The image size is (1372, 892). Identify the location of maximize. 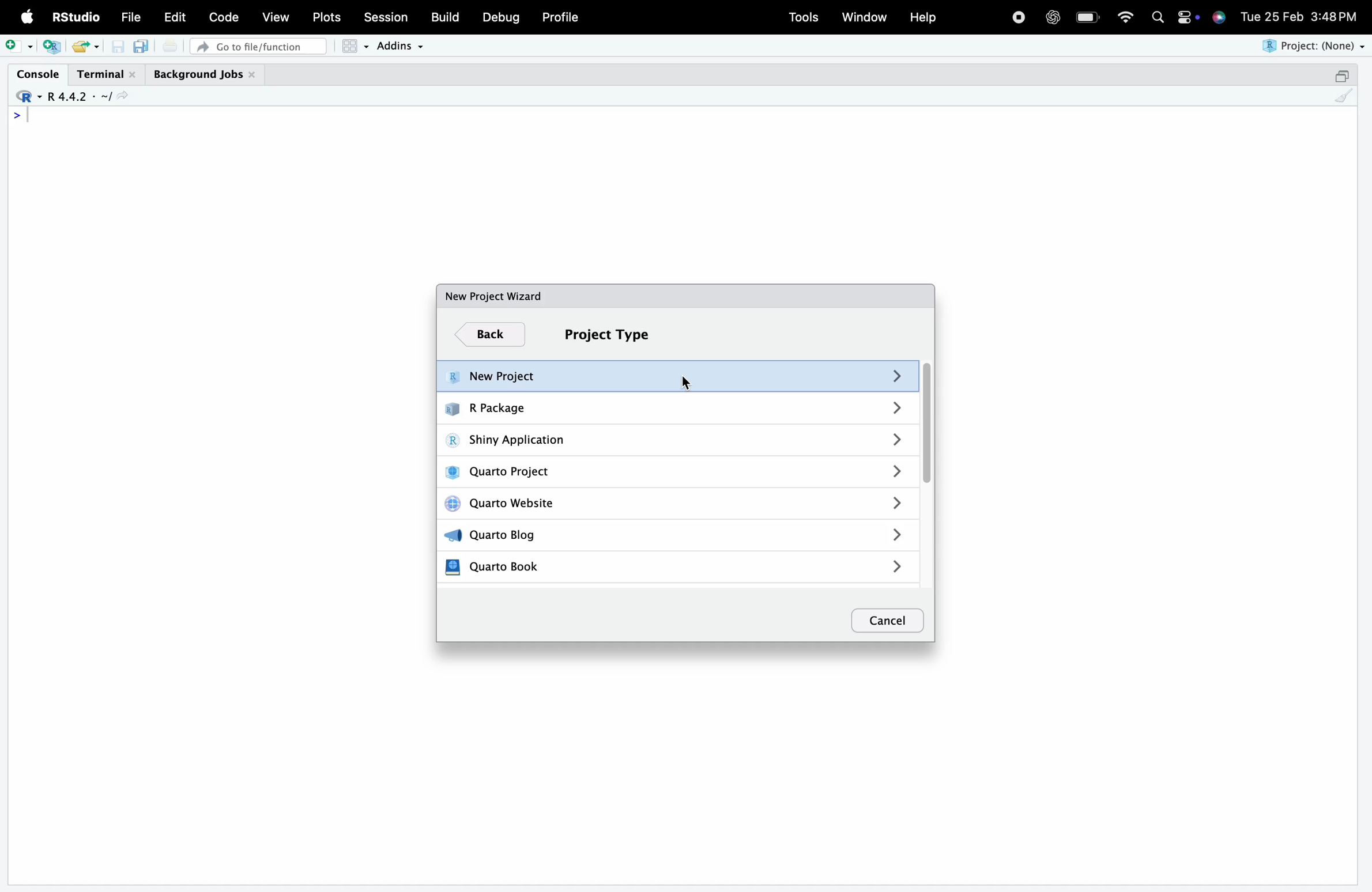
(1341, 75).